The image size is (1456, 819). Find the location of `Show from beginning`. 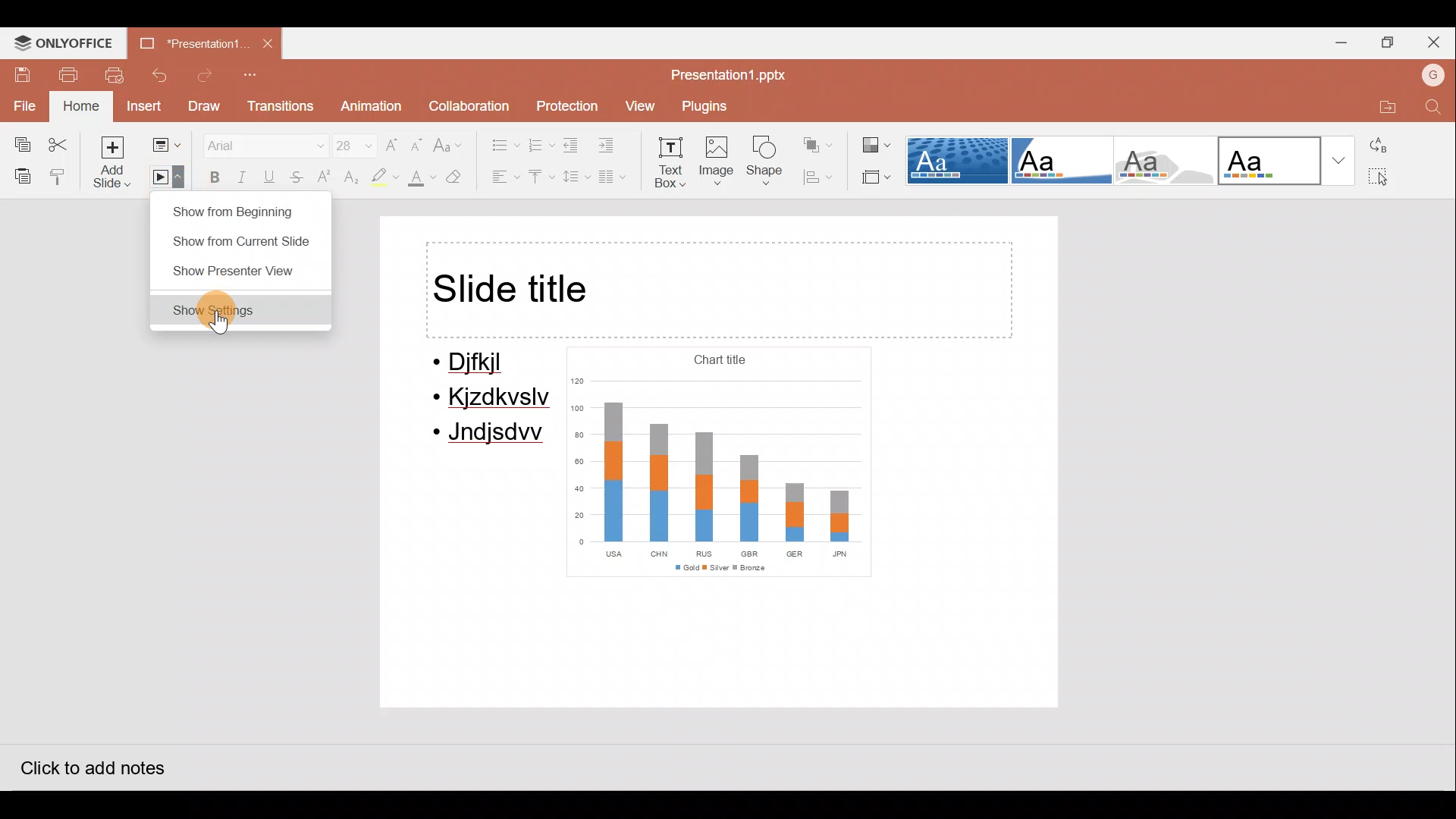

Show from beginning is located at coordinates (237, 209).